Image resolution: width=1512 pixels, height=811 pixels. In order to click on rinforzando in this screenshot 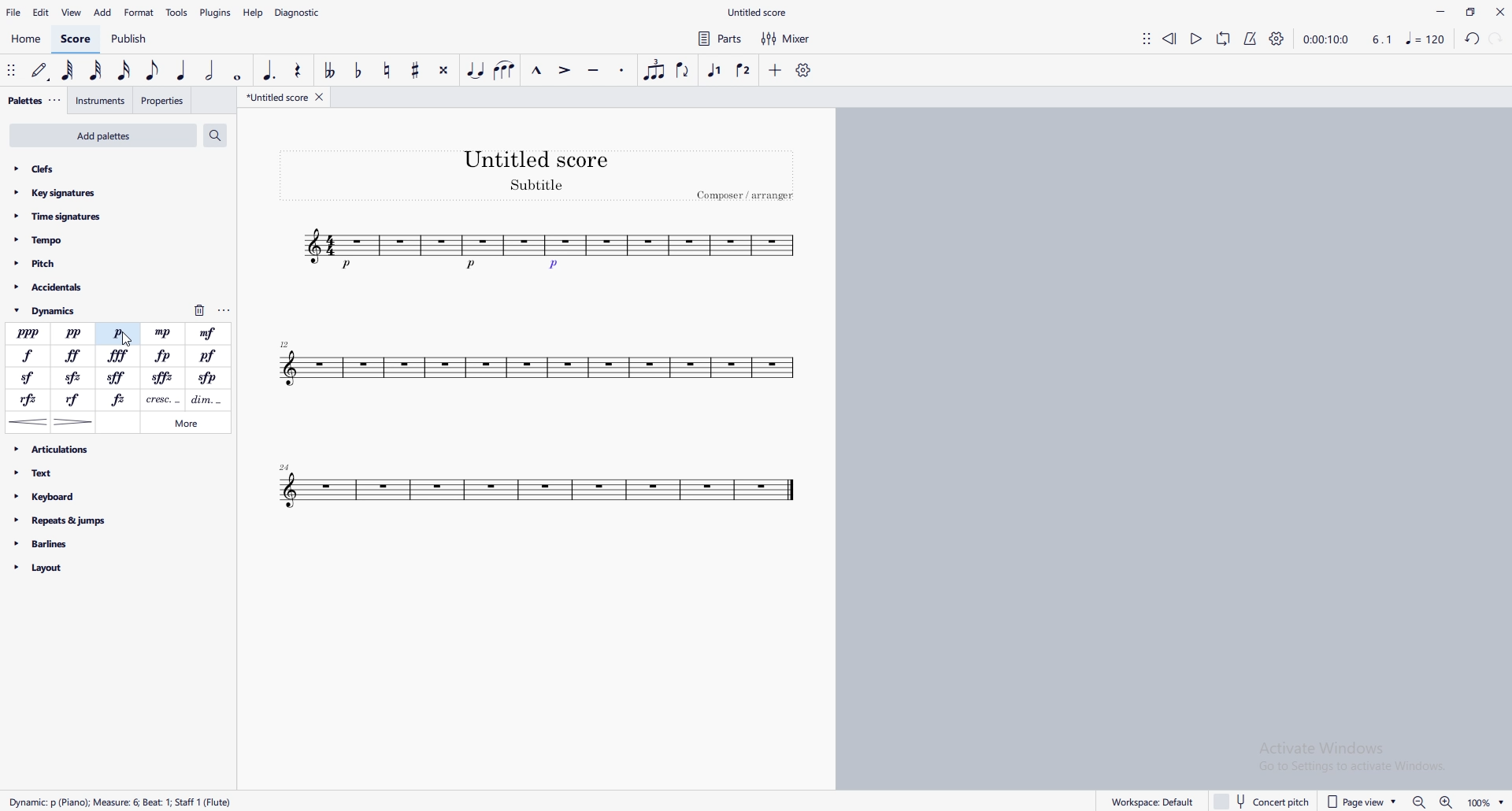, I will do `click(76, 399)`.